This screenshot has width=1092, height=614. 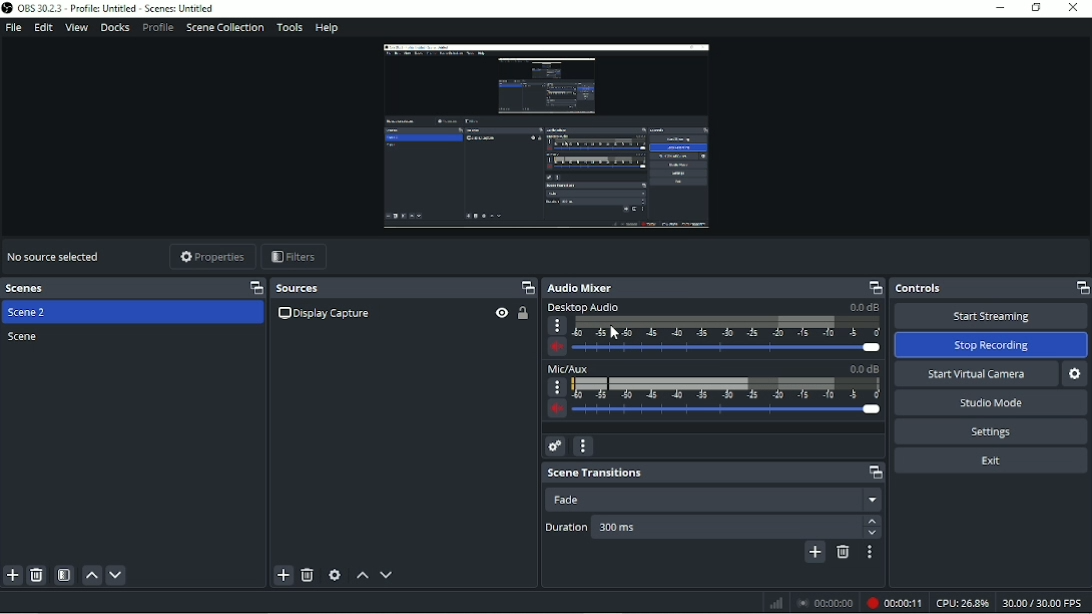 I want to click on Edit, so click(x=45, y=28).